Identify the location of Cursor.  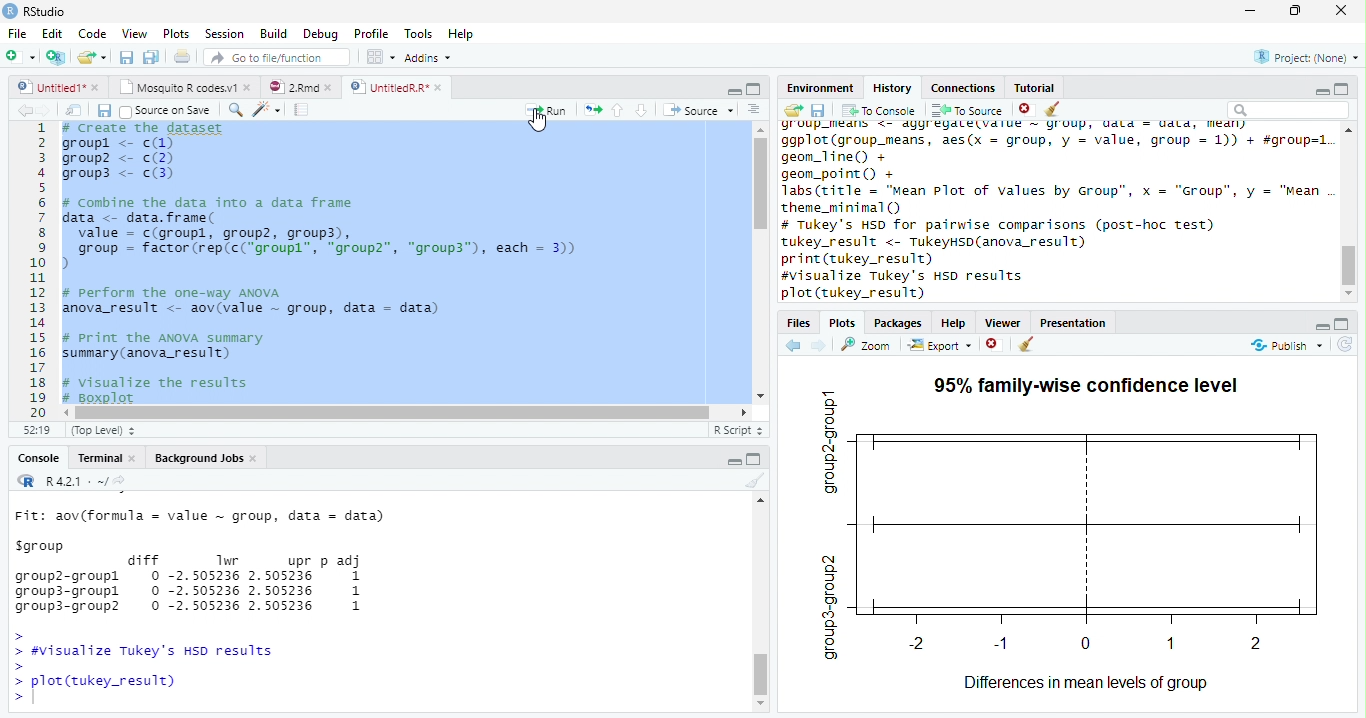
(540, 123).